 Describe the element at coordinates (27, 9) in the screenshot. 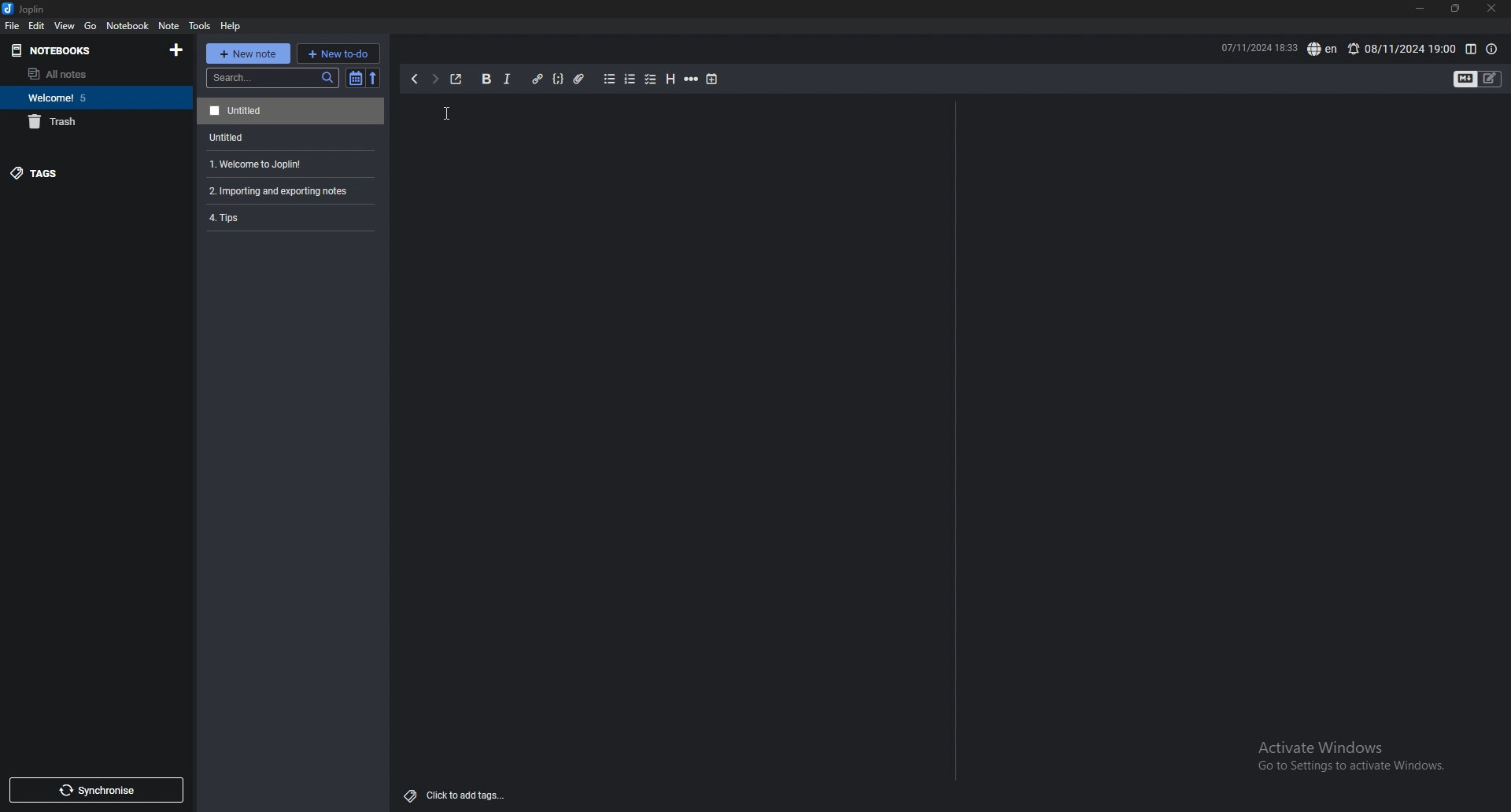

I see `joplin` at that location.